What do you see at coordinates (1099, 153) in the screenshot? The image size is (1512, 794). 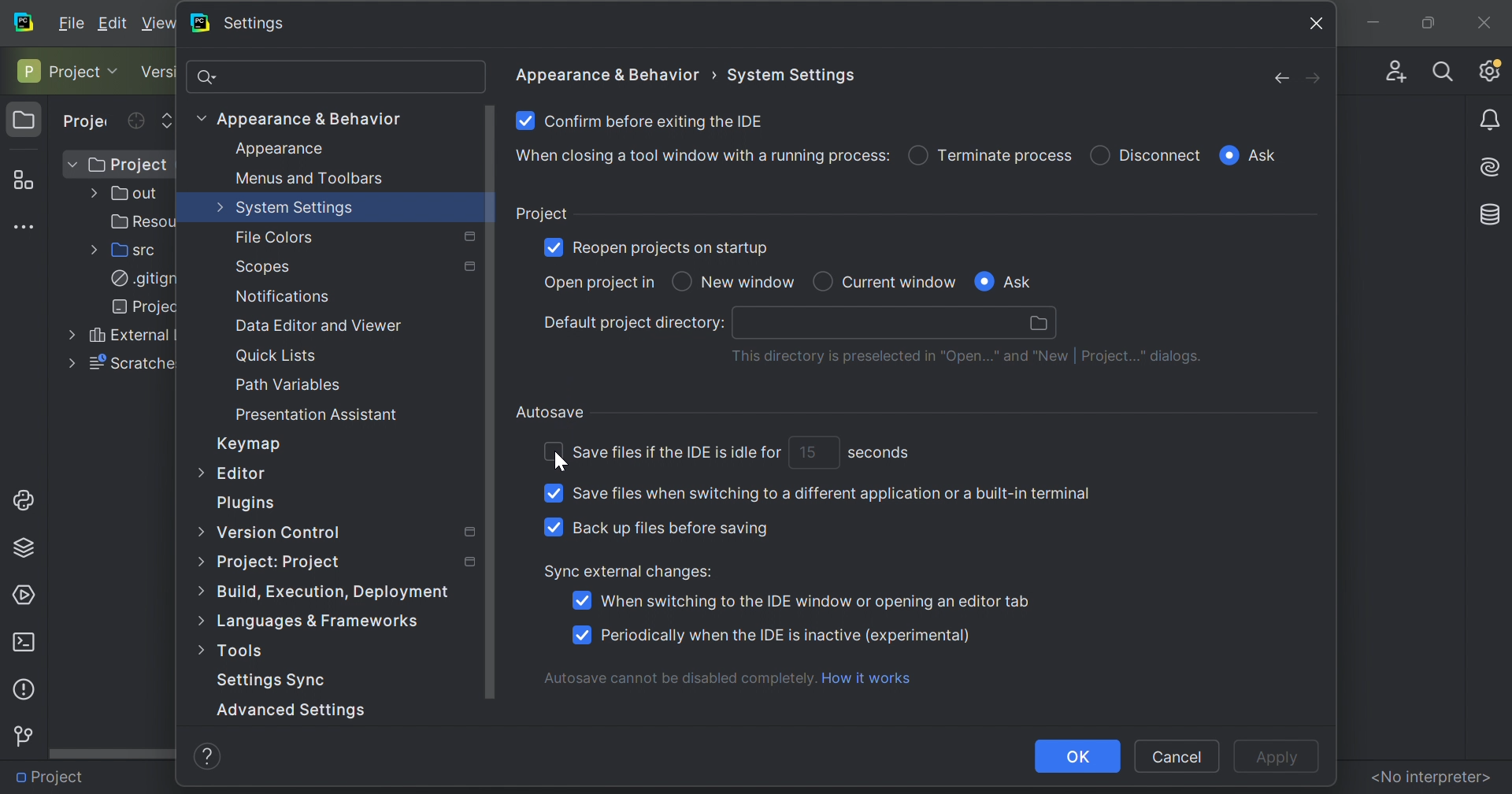 I see `Checkbox` at bounding box center [1099, 153].